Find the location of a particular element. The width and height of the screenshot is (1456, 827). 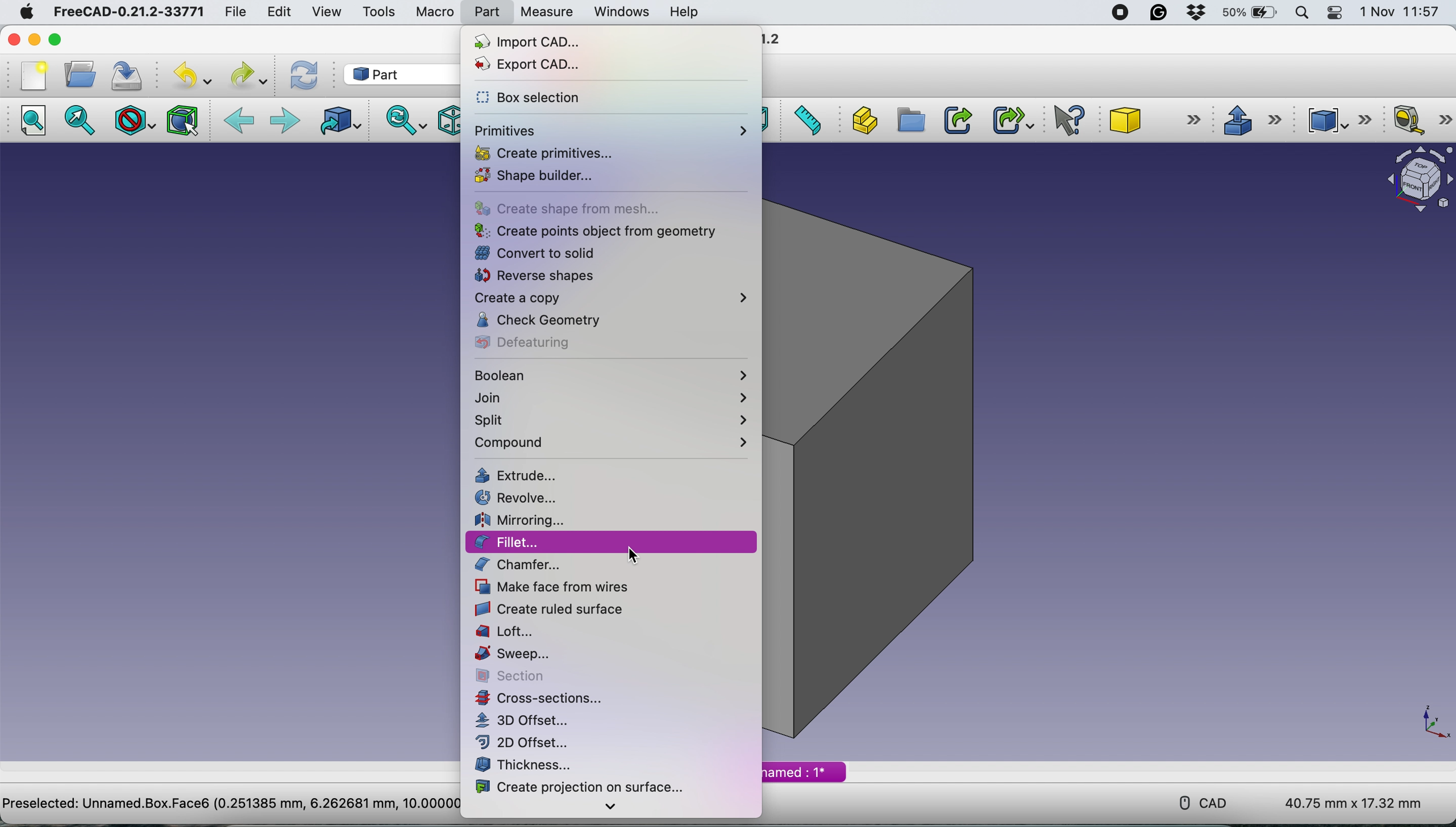

more options is located at coordinates (611, 808).